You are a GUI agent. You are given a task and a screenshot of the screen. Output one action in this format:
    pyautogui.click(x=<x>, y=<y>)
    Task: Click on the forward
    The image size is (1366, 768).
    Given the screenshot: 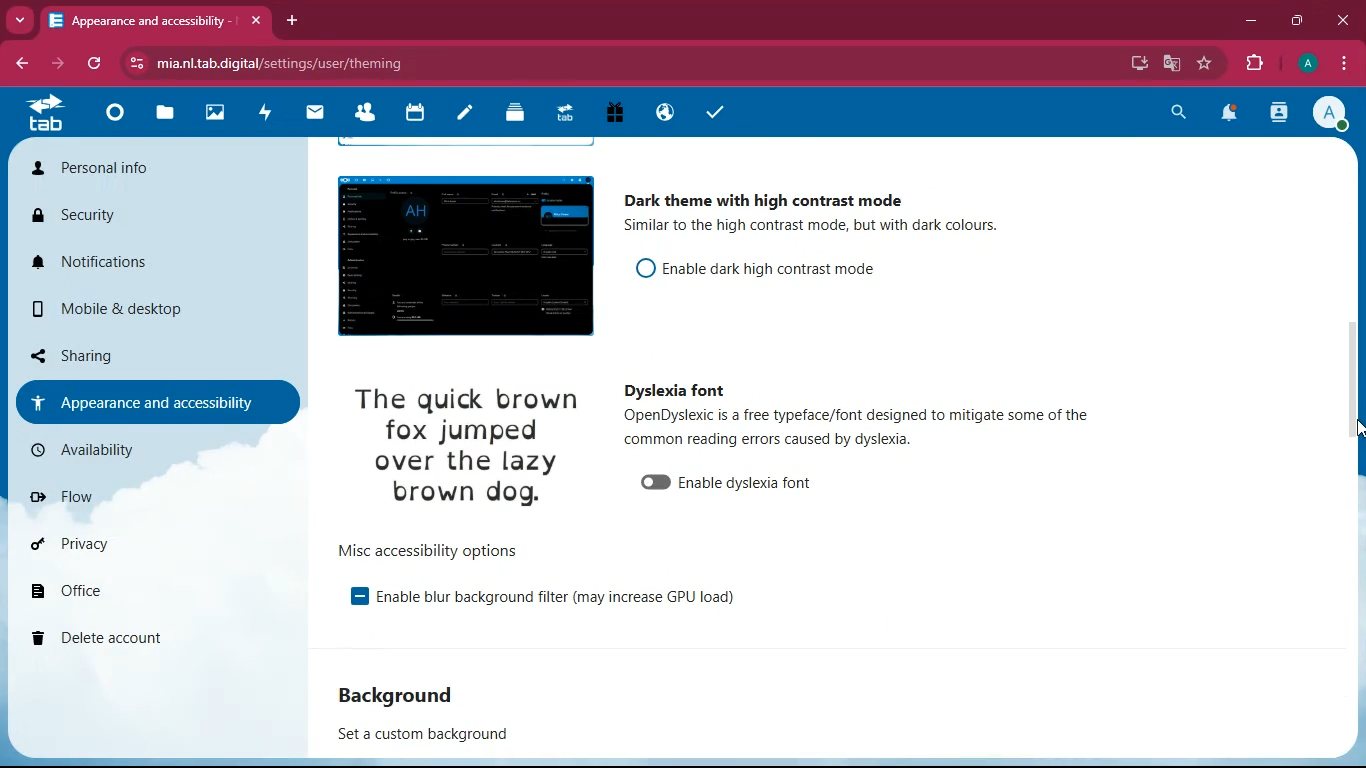 What is the action you would take?
    pyautogui.click(x=60, y=63)
    